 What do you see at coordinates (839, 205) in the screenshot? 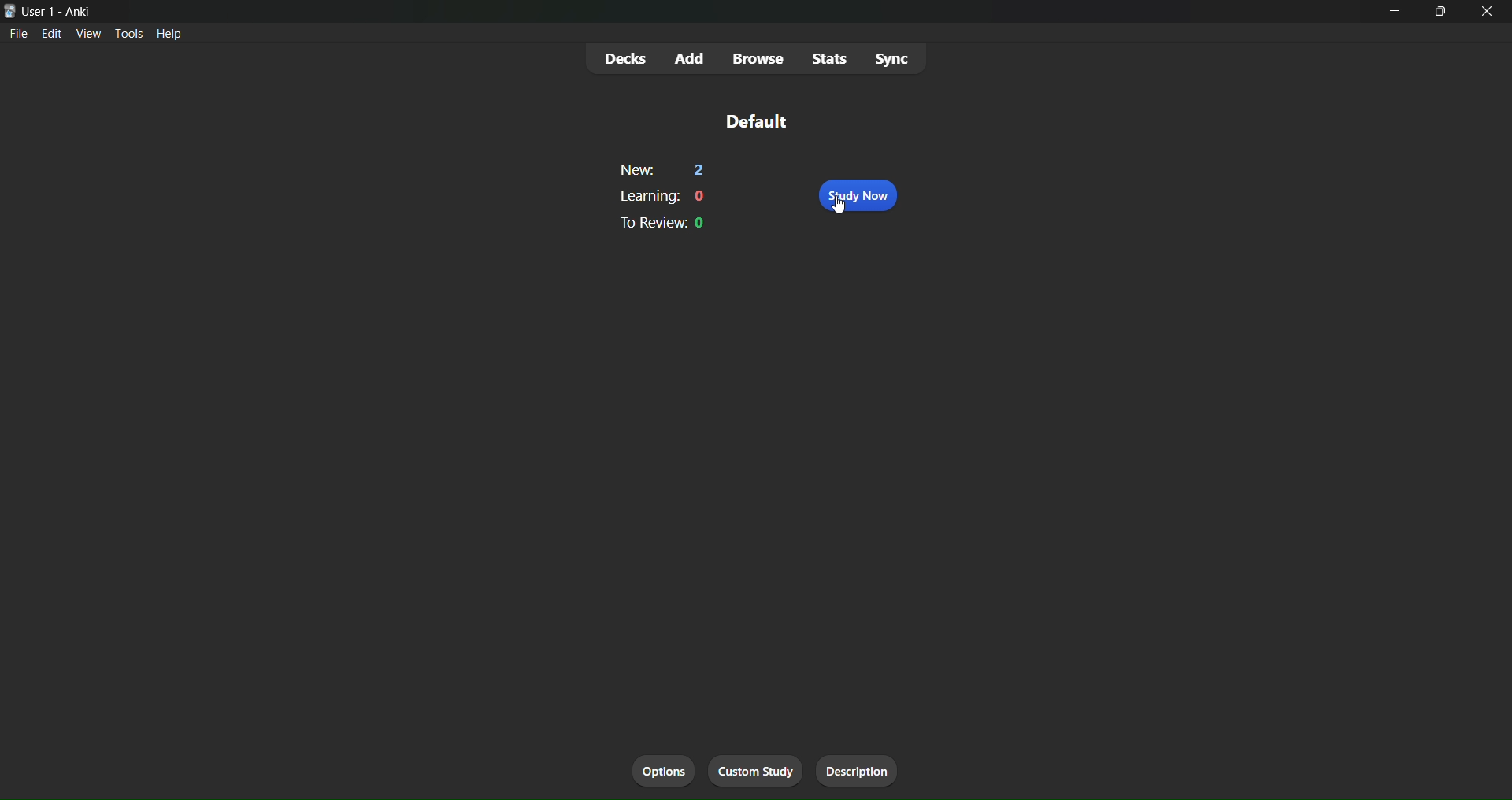
I see `cursor` at bounding box center [839, 205].